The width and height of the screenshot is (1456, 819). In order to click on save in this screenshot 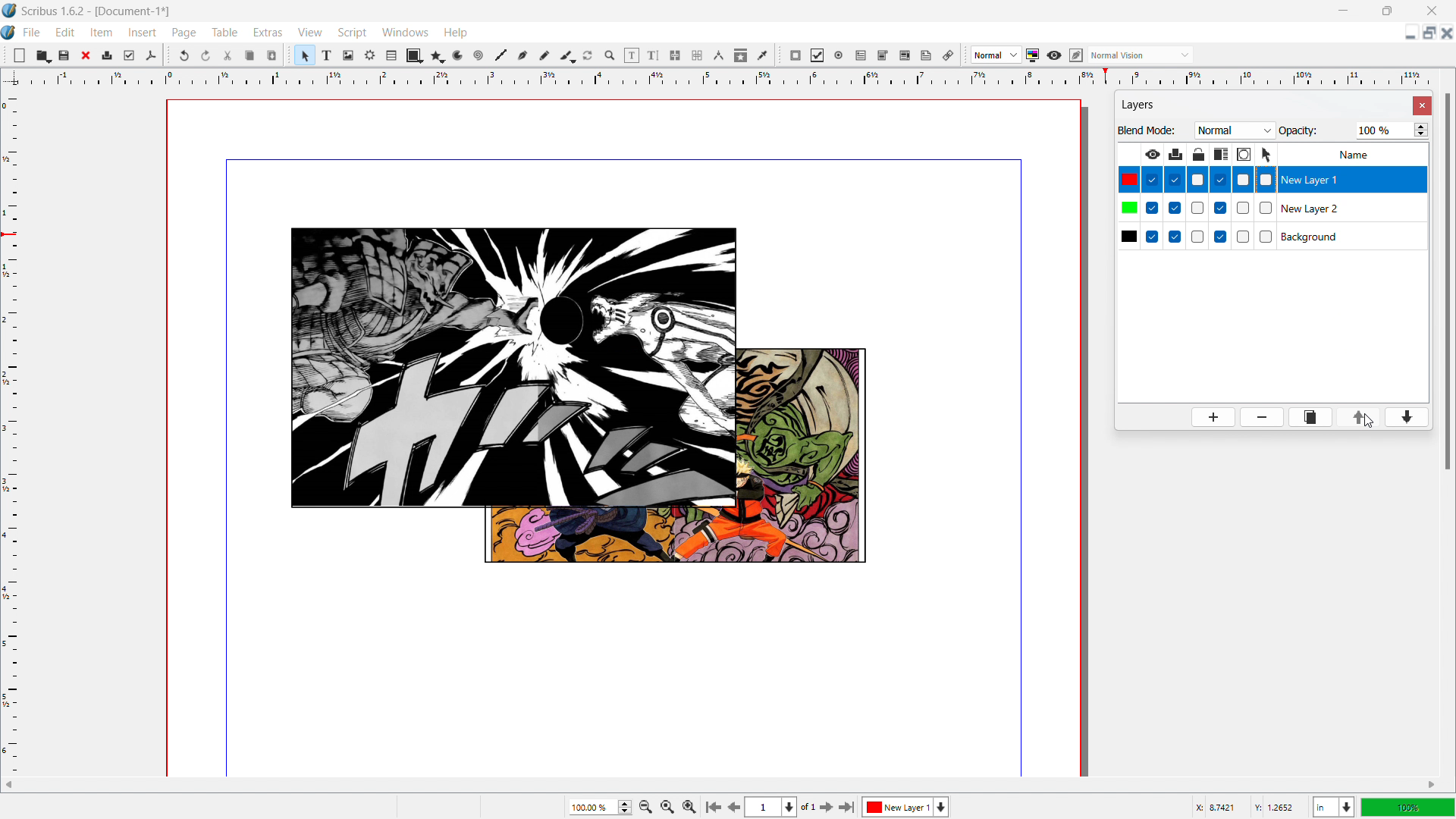, I will do `click(64, 56)`.